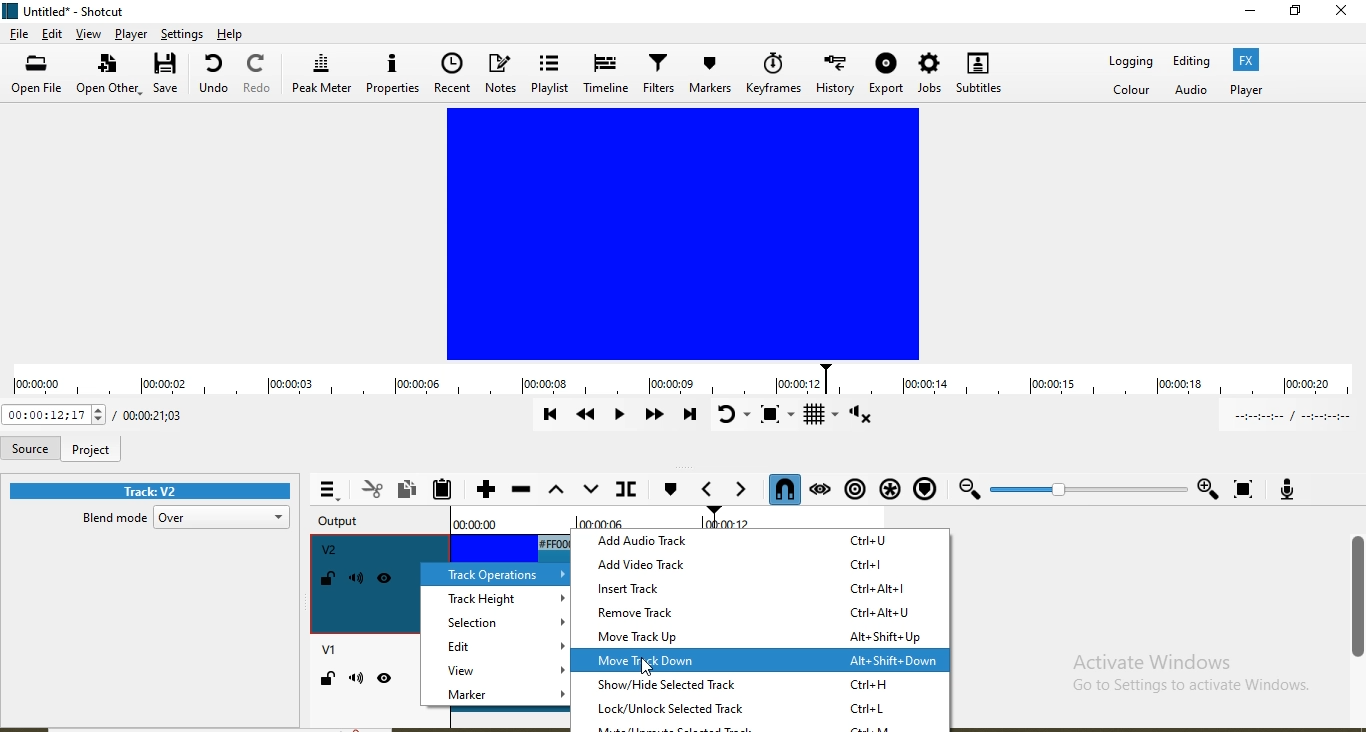  I want to click on open file, so click(37, 76).